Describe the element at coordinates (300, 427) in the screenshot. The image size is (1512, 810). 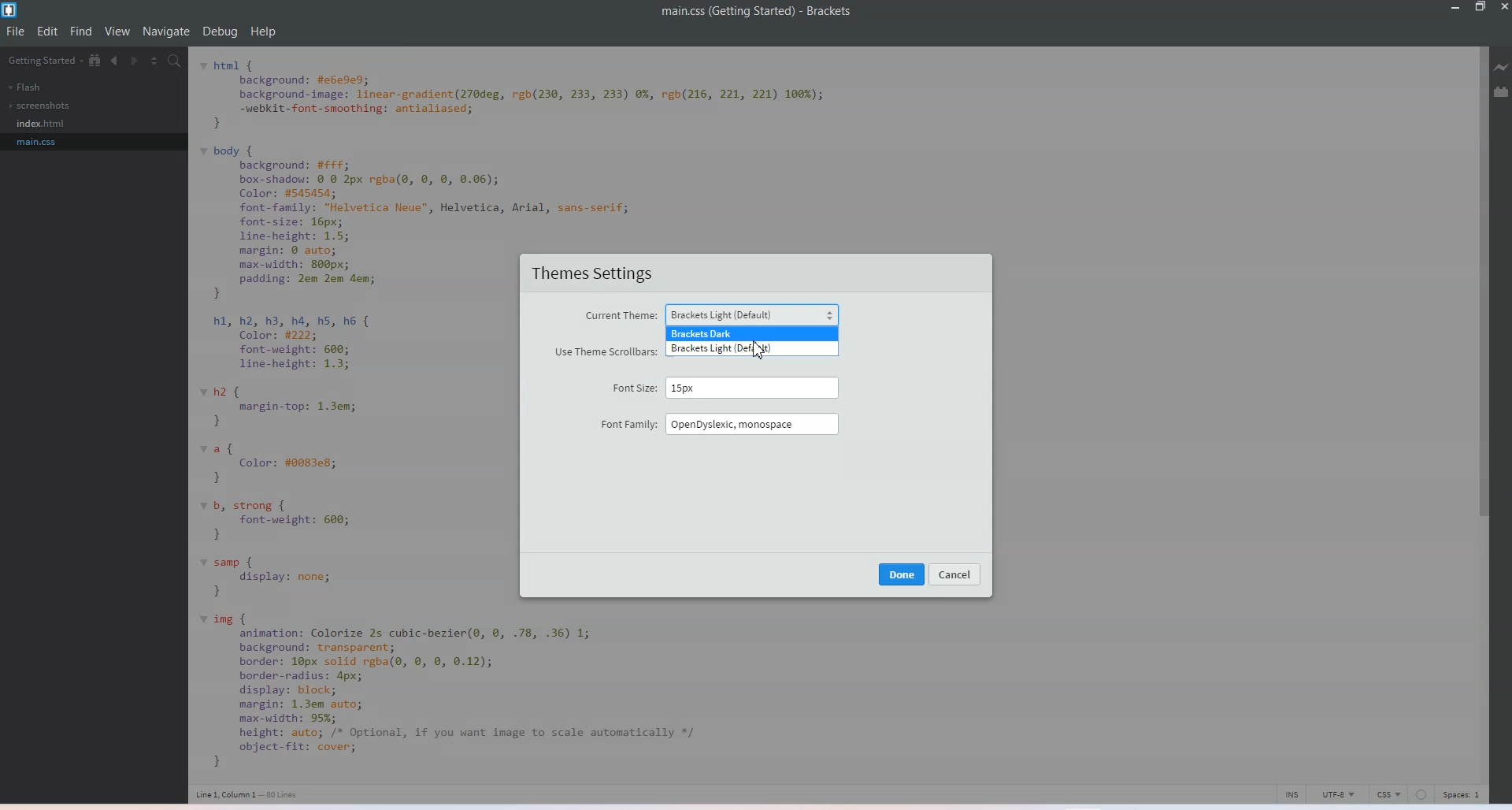
I see `code` at that location.